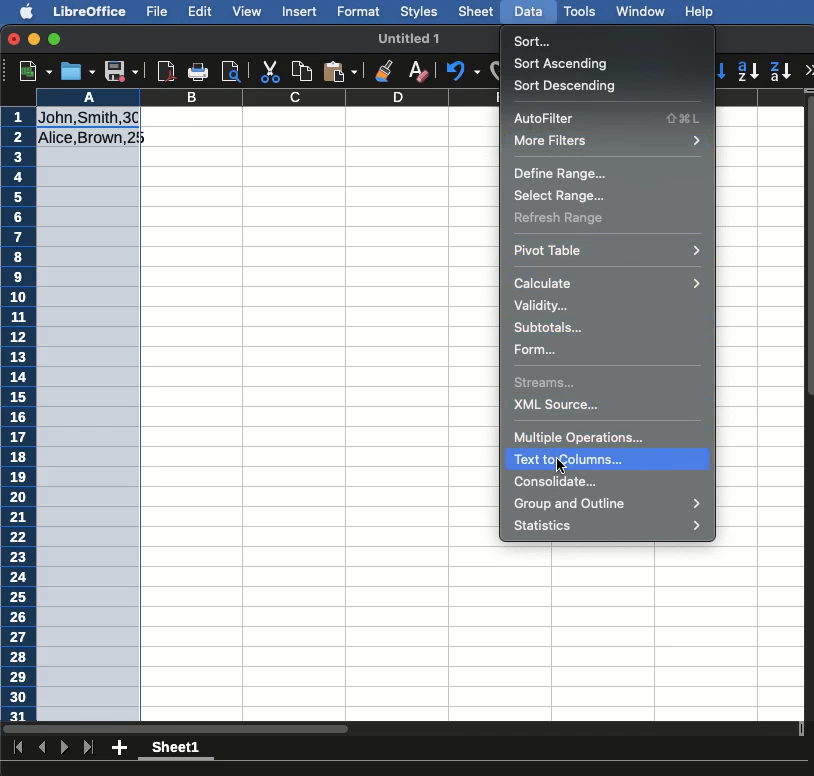  I want to click on View, so click(246, 12).